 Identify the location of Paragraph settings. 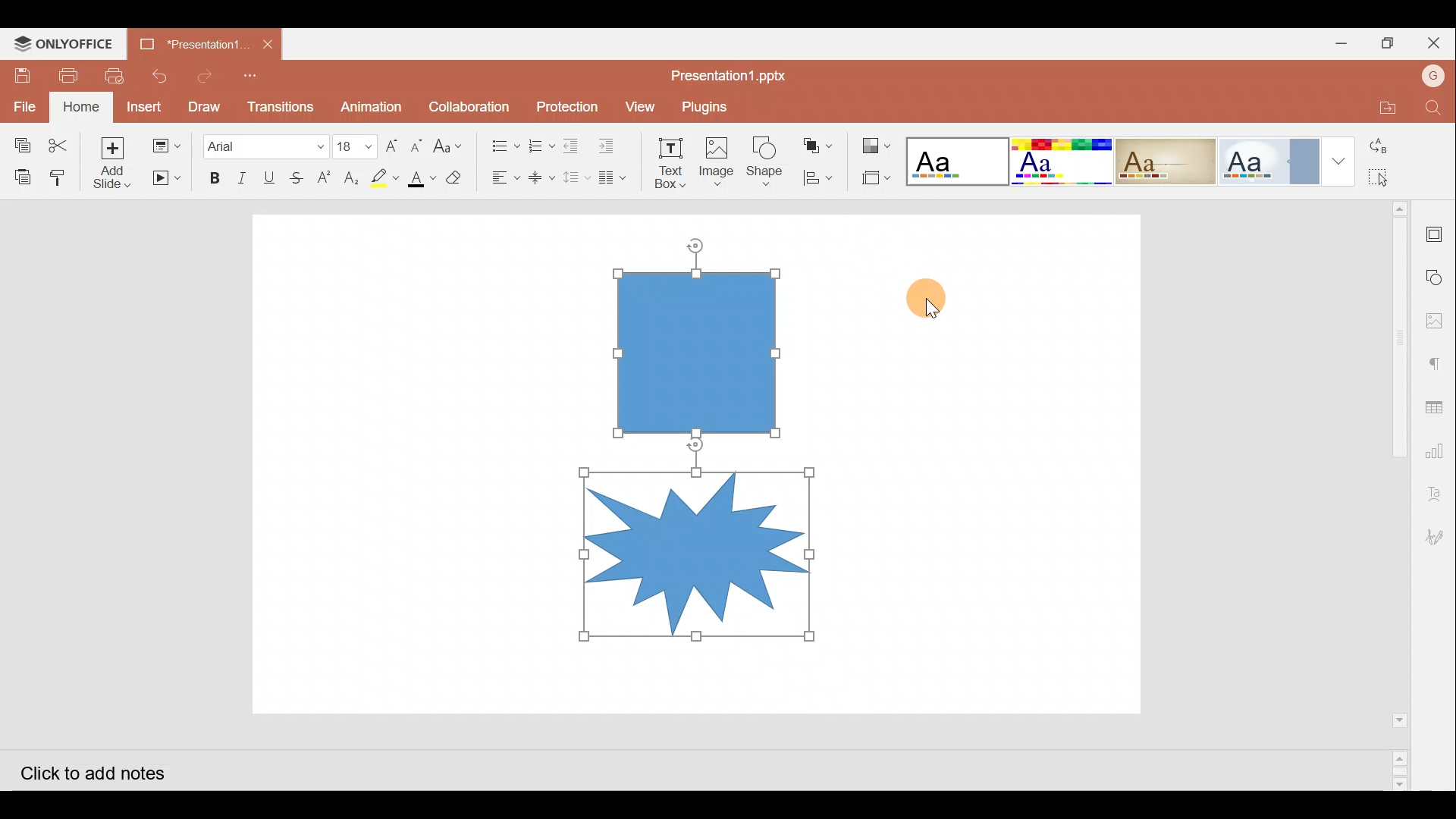
(1438, 360).